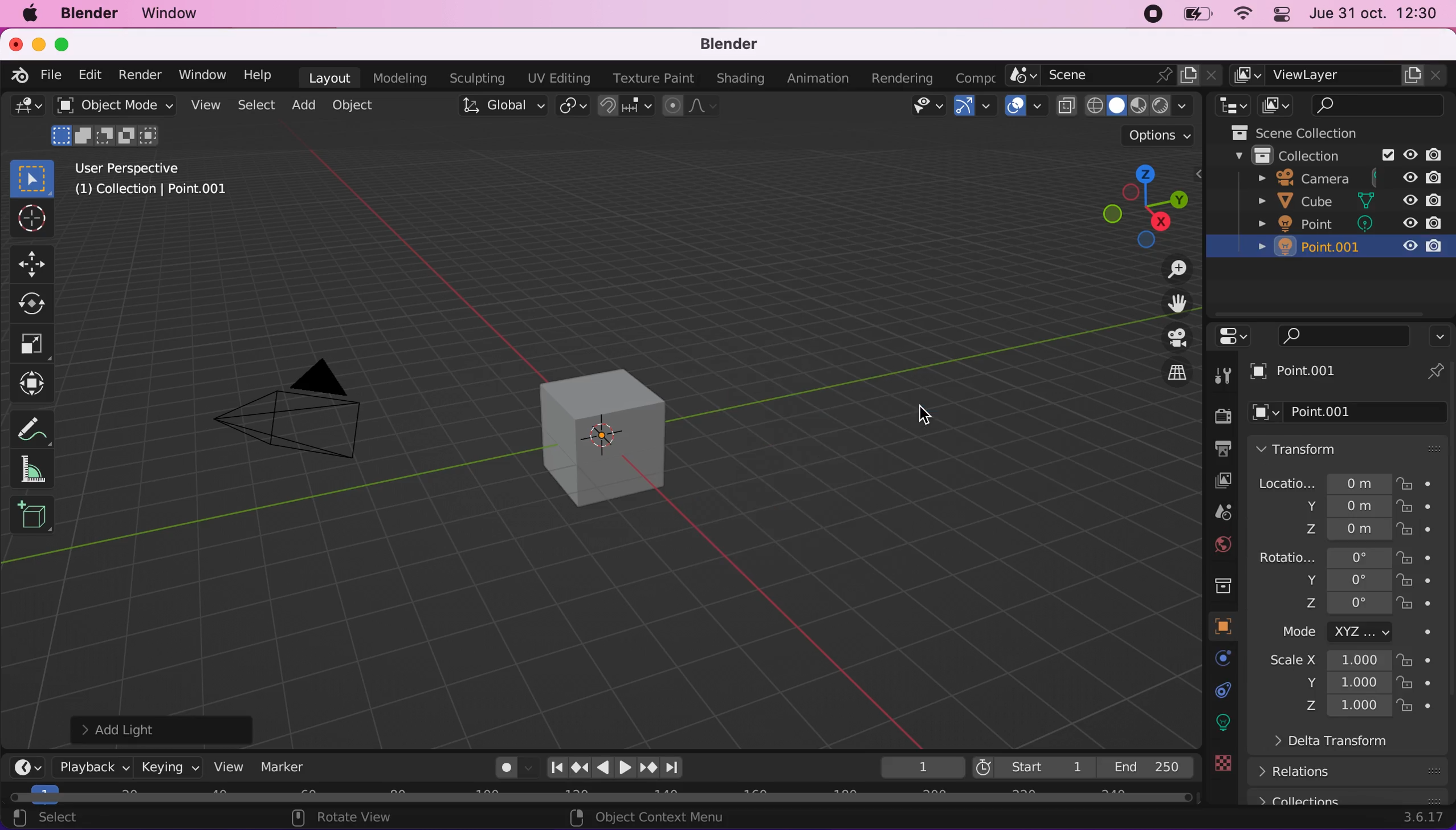 This screenshot has height=830, width=1456. What do you see at coordinates (1287, 154) in the screenshot?
I see `collection` at bounding box center [1287, 154].